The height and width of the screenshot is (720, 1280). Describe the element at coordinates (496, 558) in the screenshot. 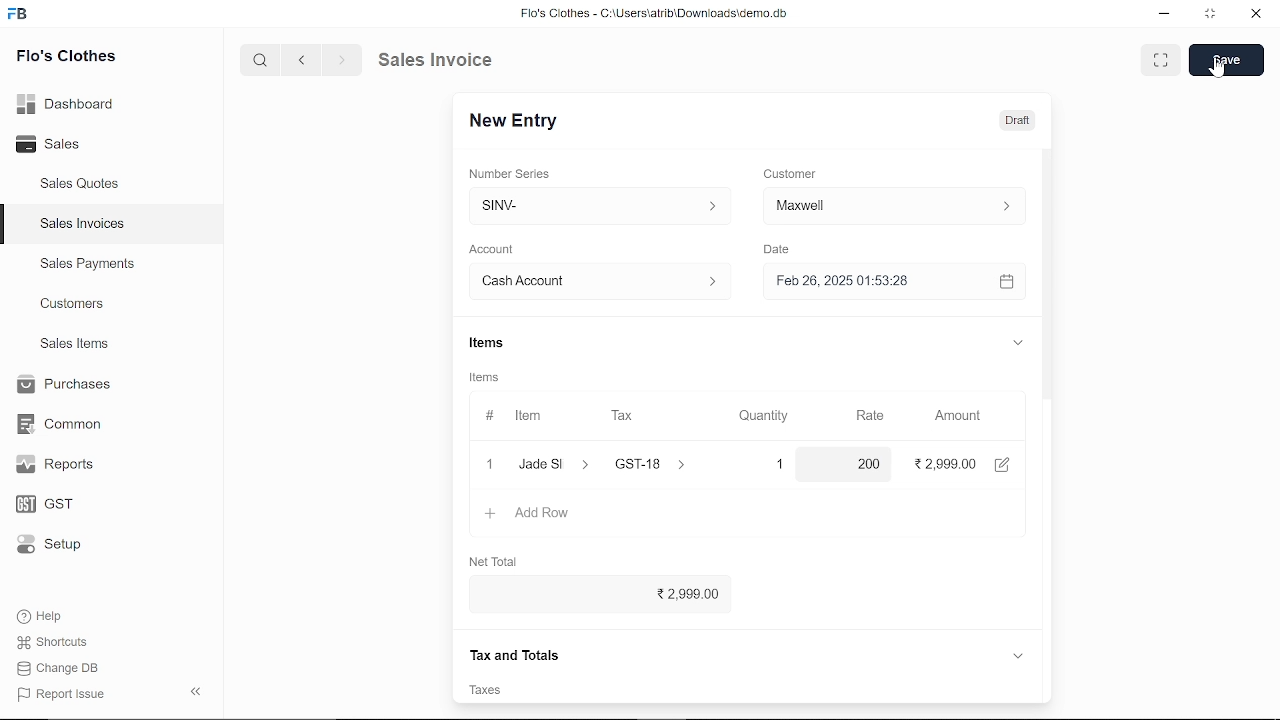

I see `Net Total` at that location.